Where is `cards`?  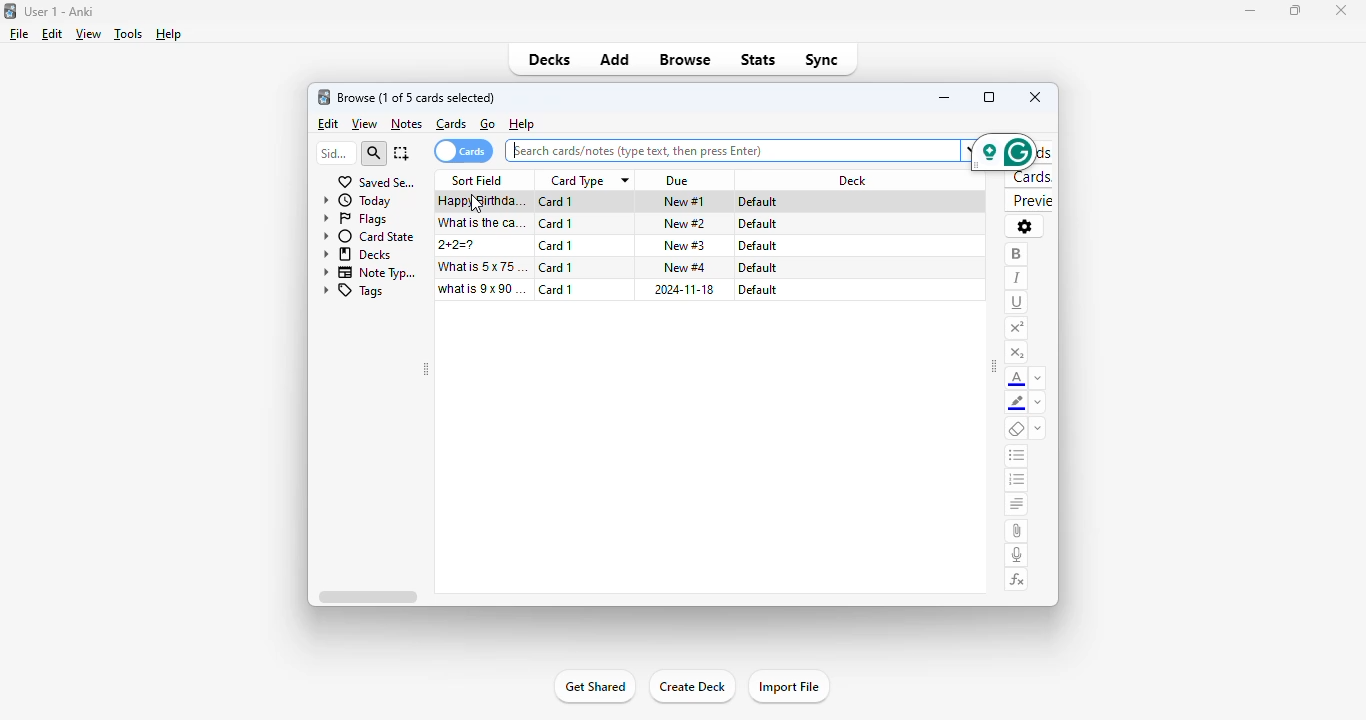
cards is located at coordinates (1030, 177).